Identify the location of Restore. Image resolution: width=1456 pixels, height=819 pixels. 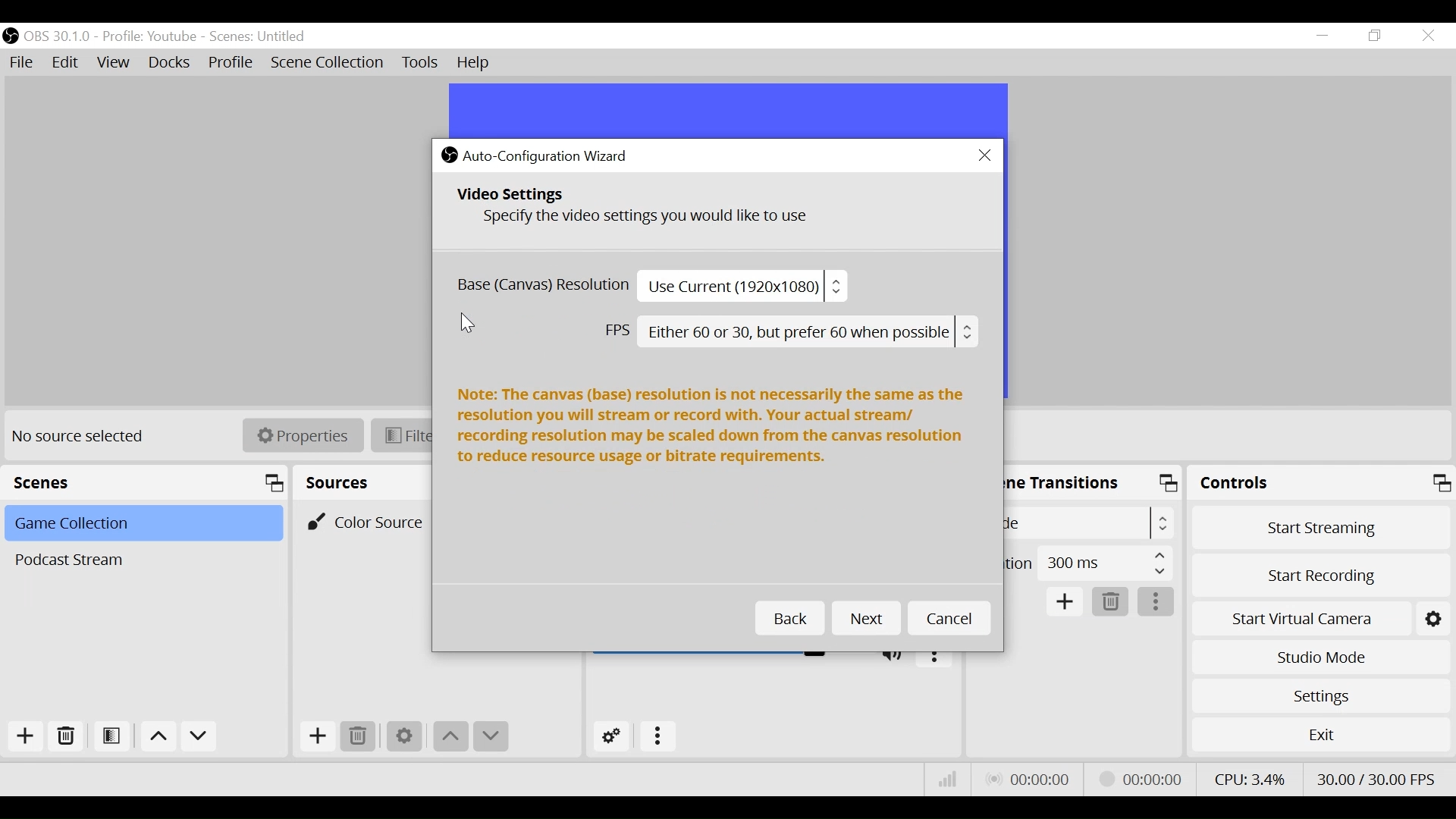
(1373, 36).